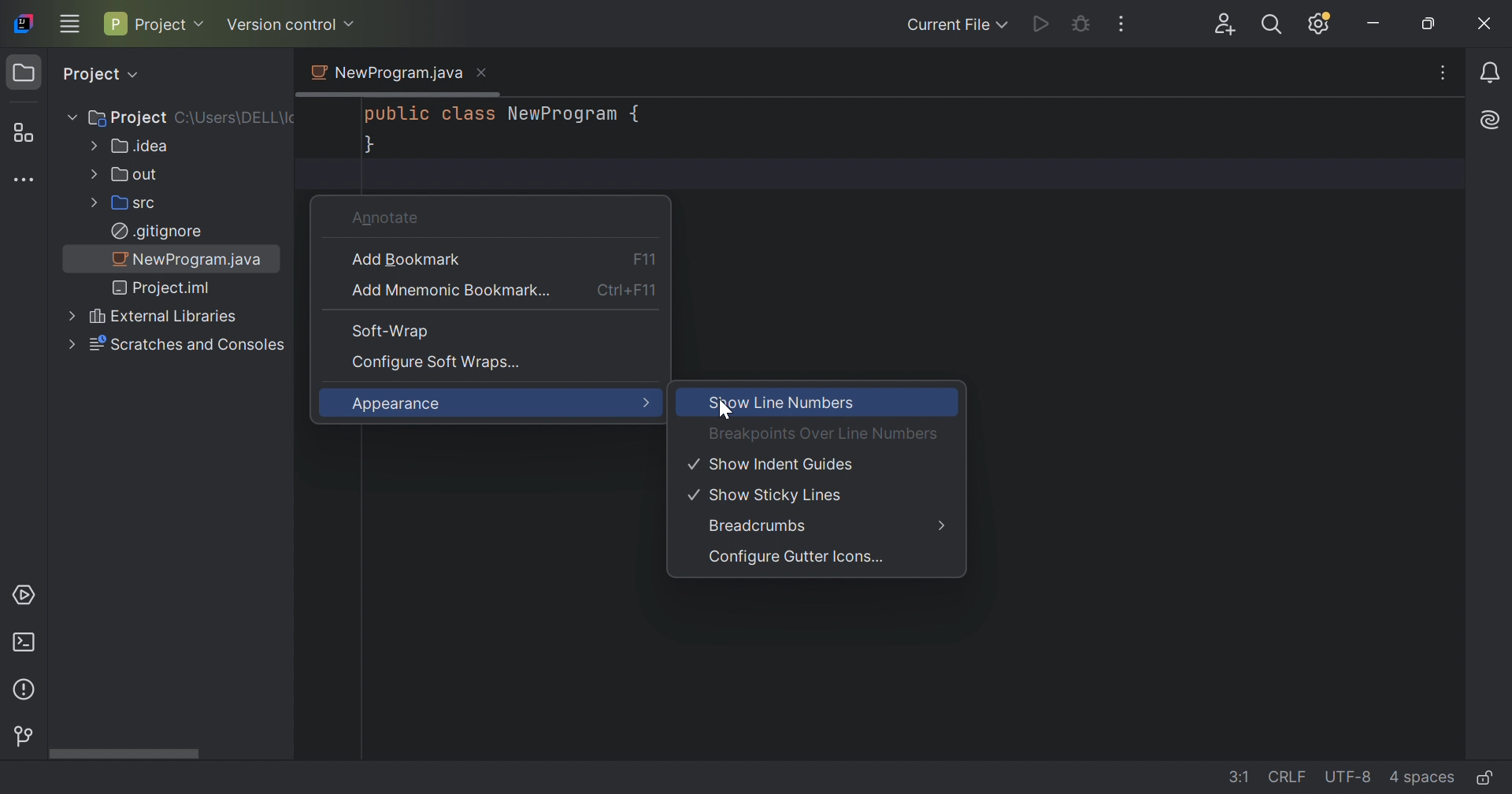 The image size is (1512, 794). Describe the element at coordinates (1270, 27) in the screenshot. I see `Search everywhere` at that location.